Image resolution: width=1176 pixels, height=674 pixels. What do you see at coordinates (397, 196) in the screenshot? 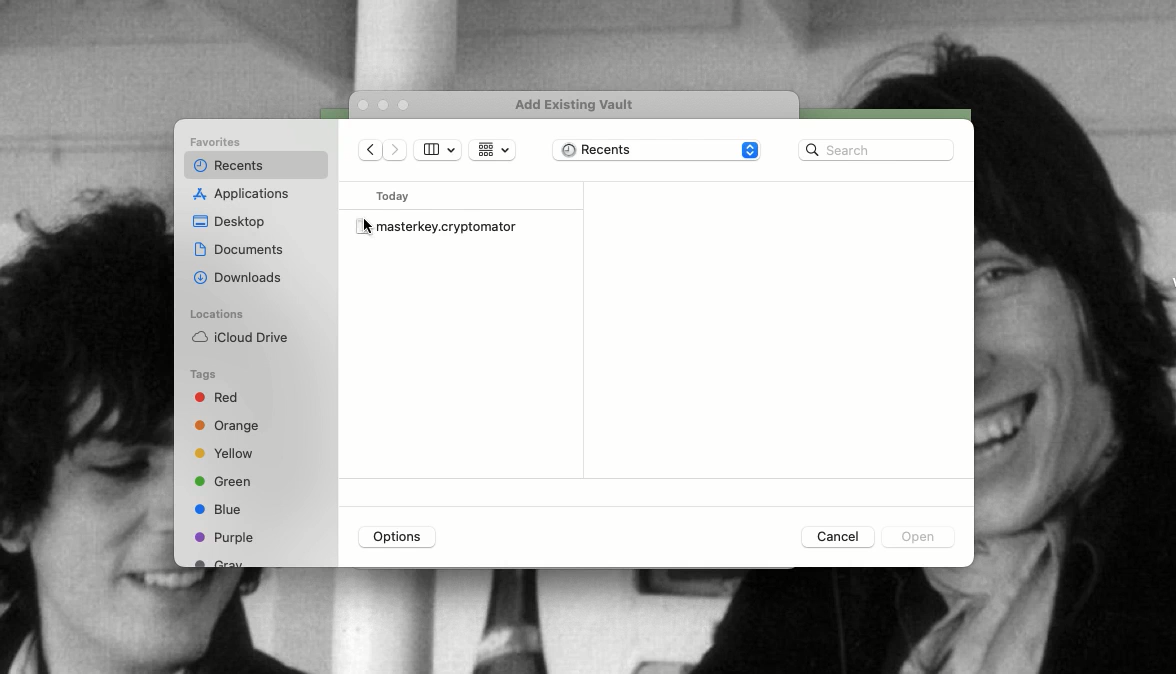
I see `Today` at bounding box center [397, 196].